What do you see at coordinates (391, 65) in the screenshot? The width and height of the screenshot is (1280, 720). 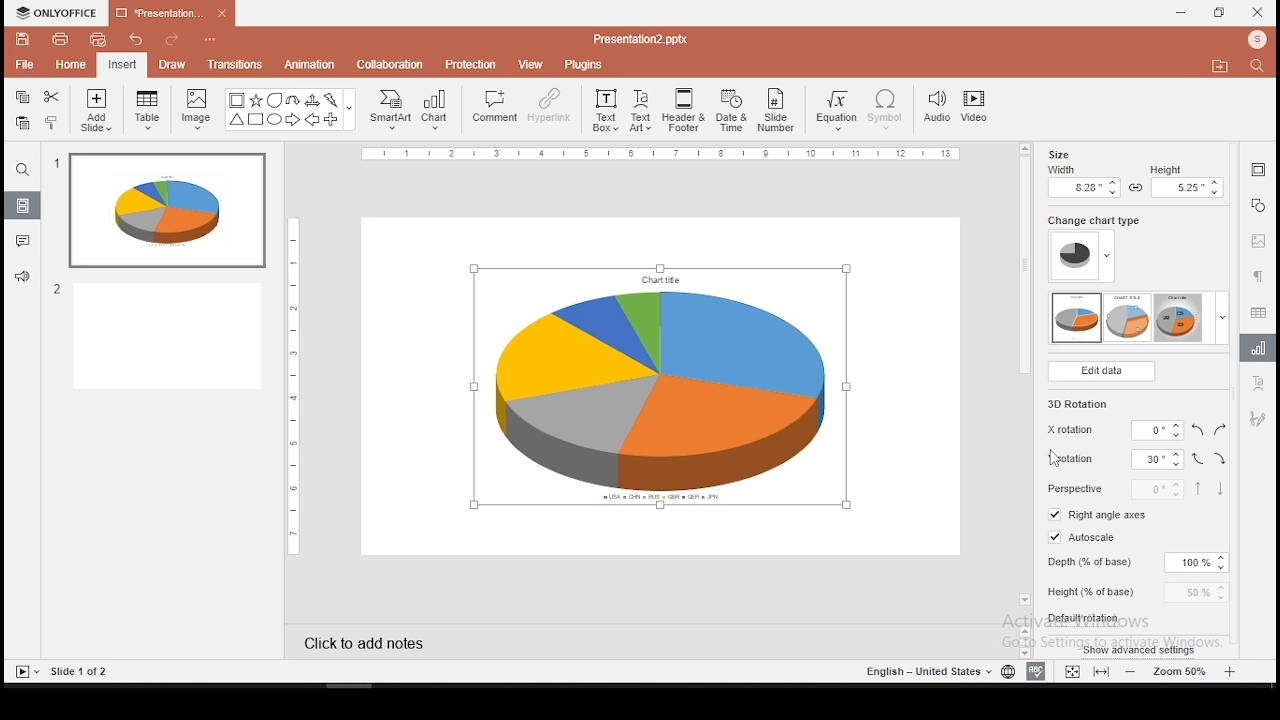 I see `collaboration` at bounding box center [391, 65].